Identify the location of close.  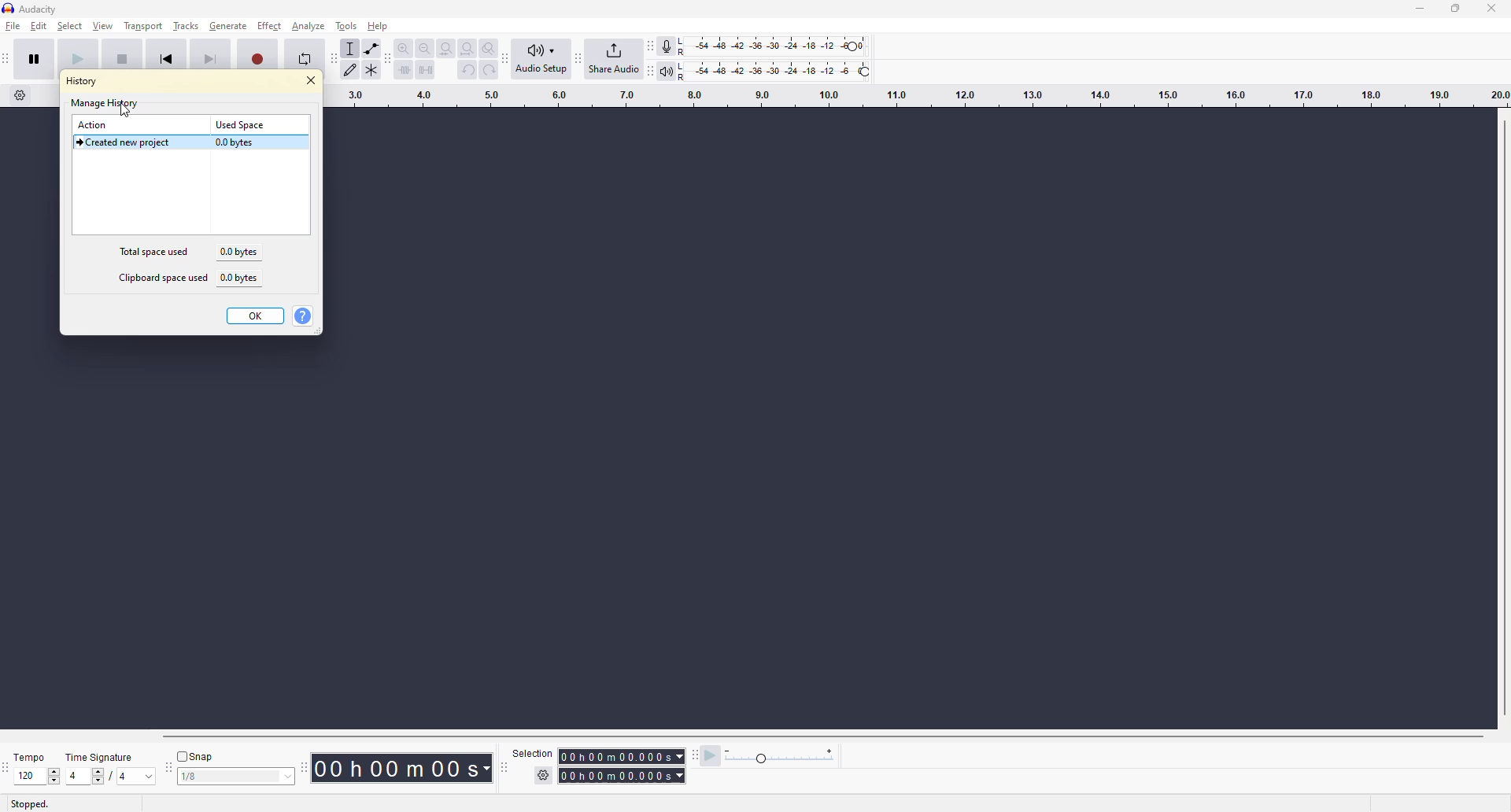
(1489, 12).